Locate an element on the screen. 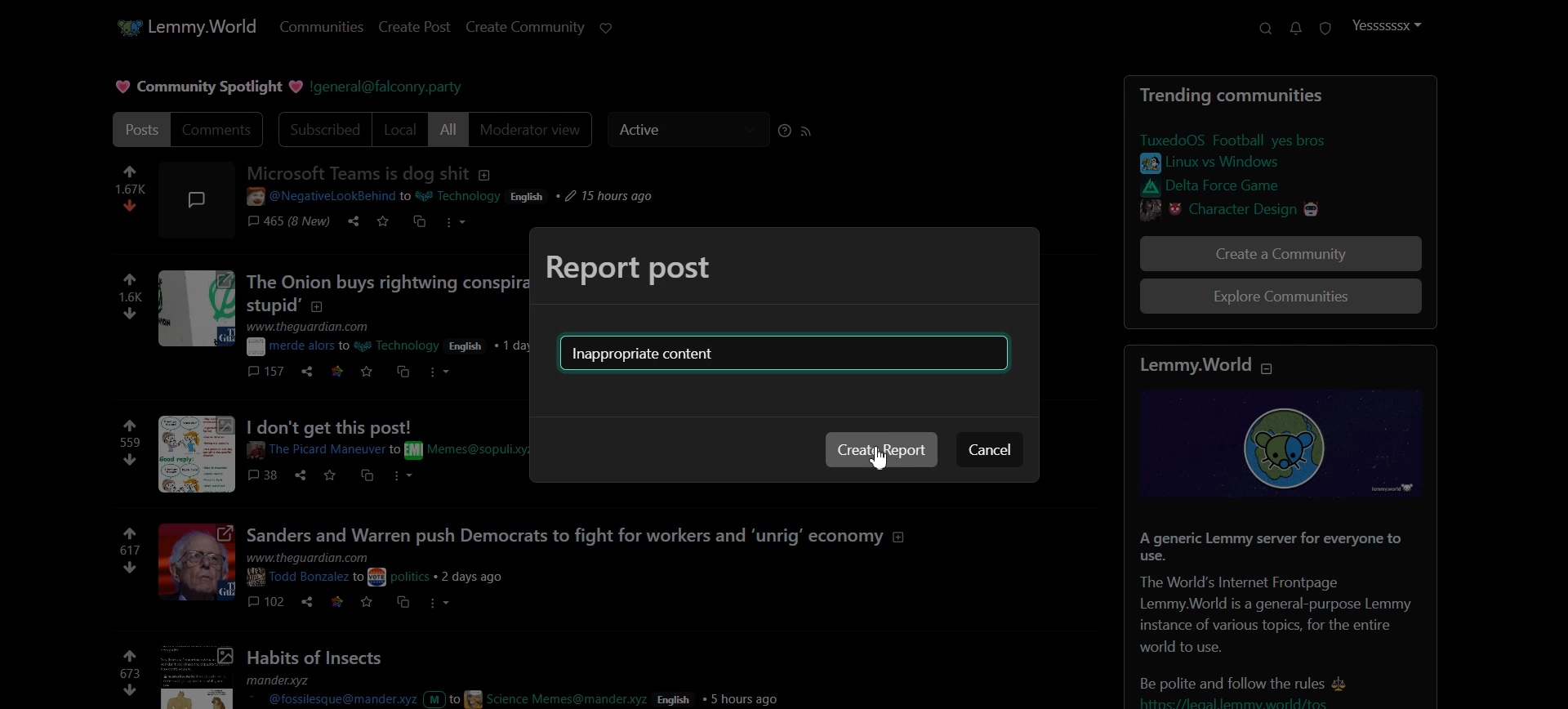  posts is located at coordinates (665, 554).